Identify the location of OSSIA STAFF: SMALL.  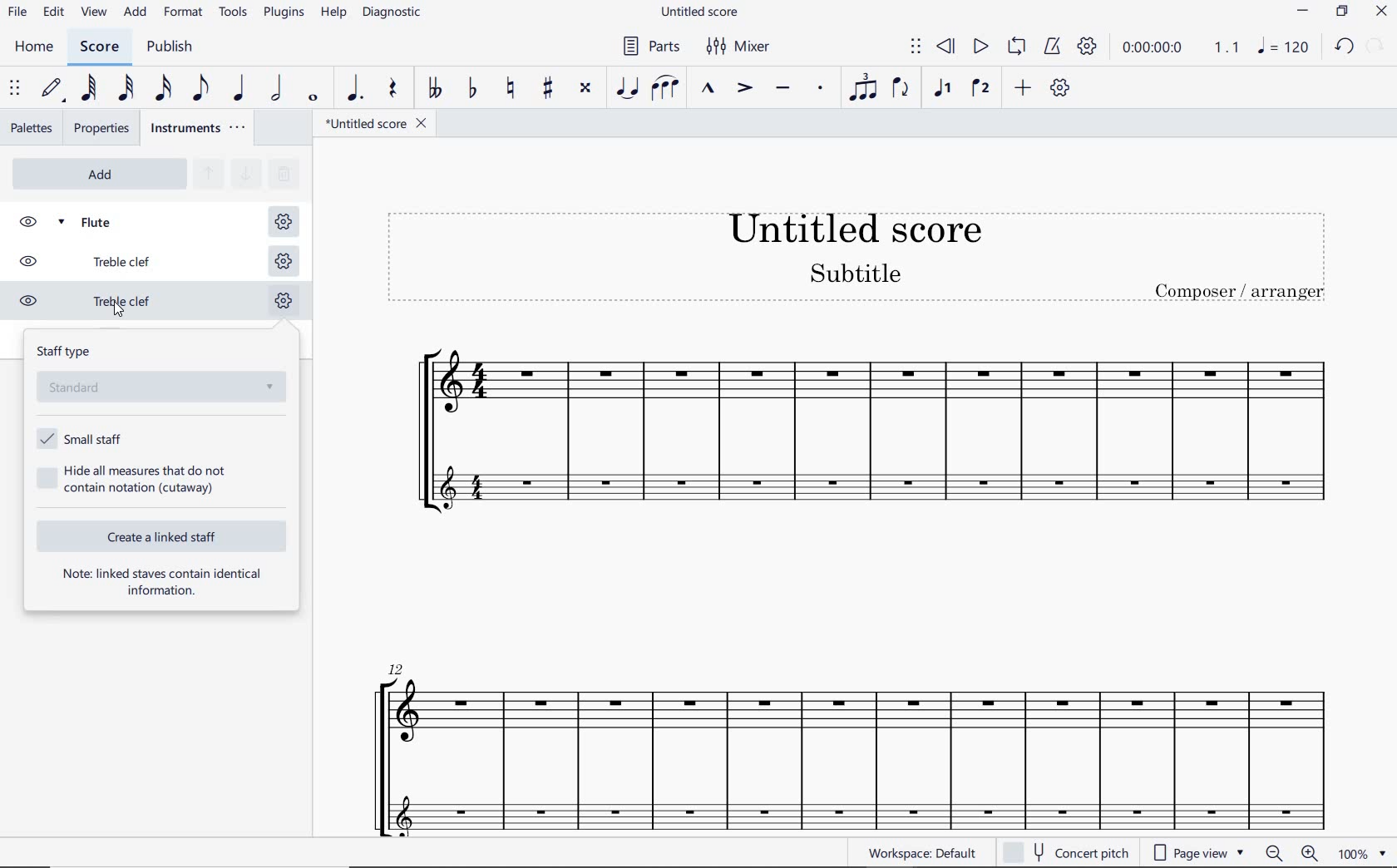
(842, 808).